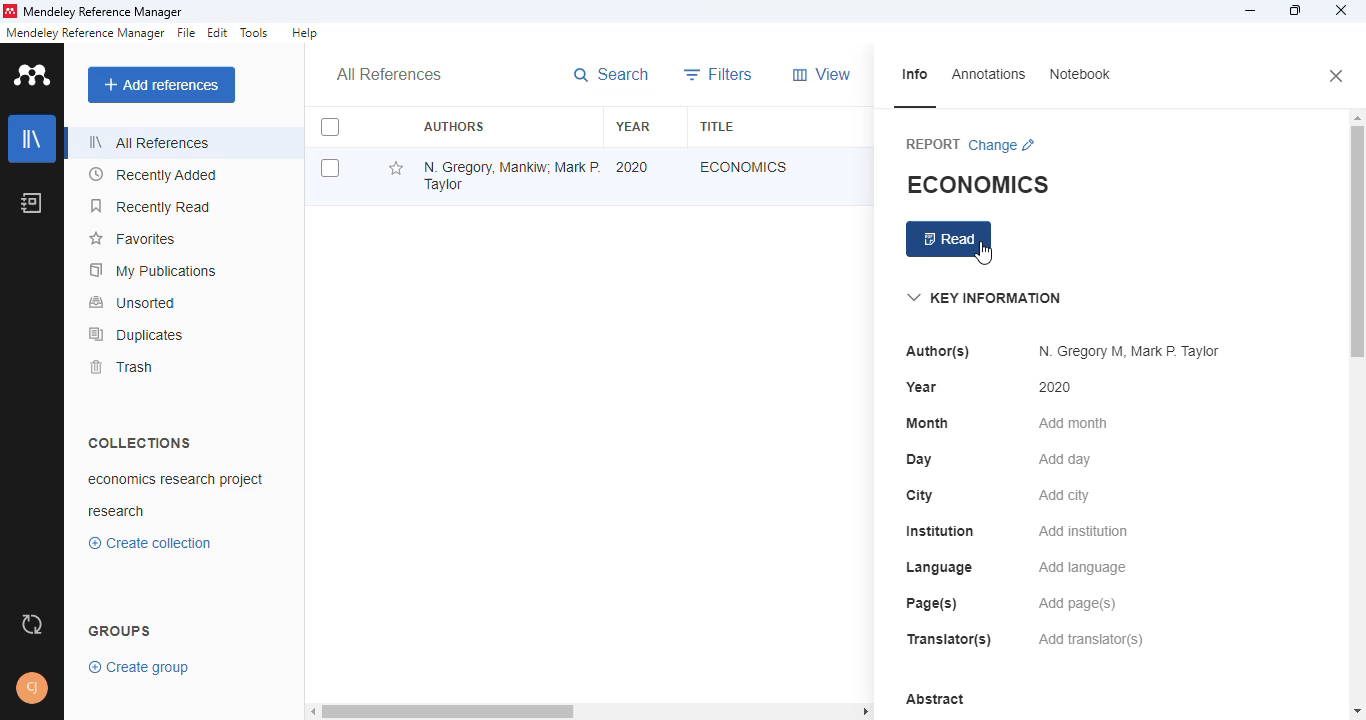 This screenshot has width=1366, height=720. Describe the element at coordinates (188, 33) in the screenshot. I see `file` at that location.